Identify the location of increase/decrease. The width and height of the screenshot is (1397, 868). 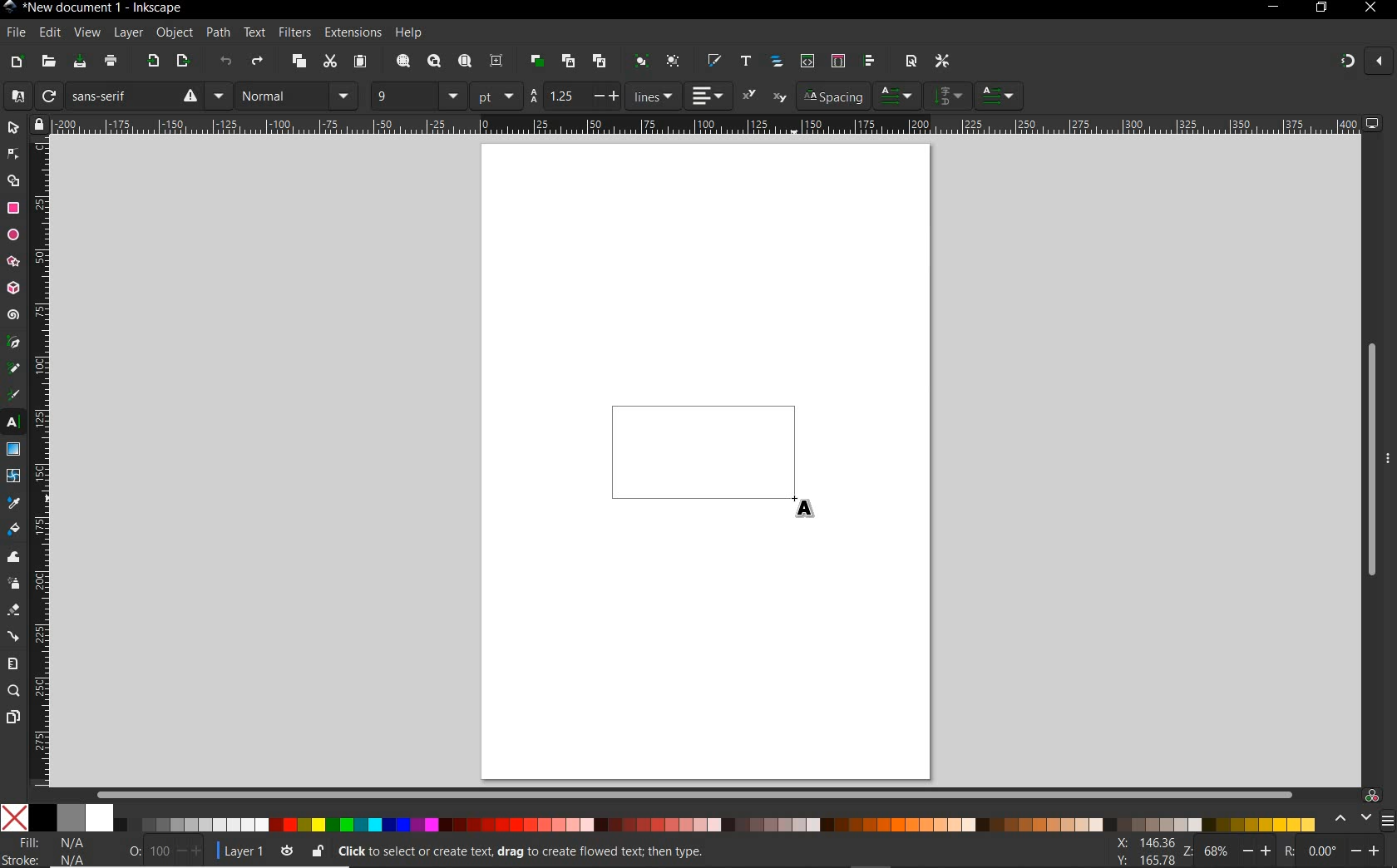
(1367, 849).